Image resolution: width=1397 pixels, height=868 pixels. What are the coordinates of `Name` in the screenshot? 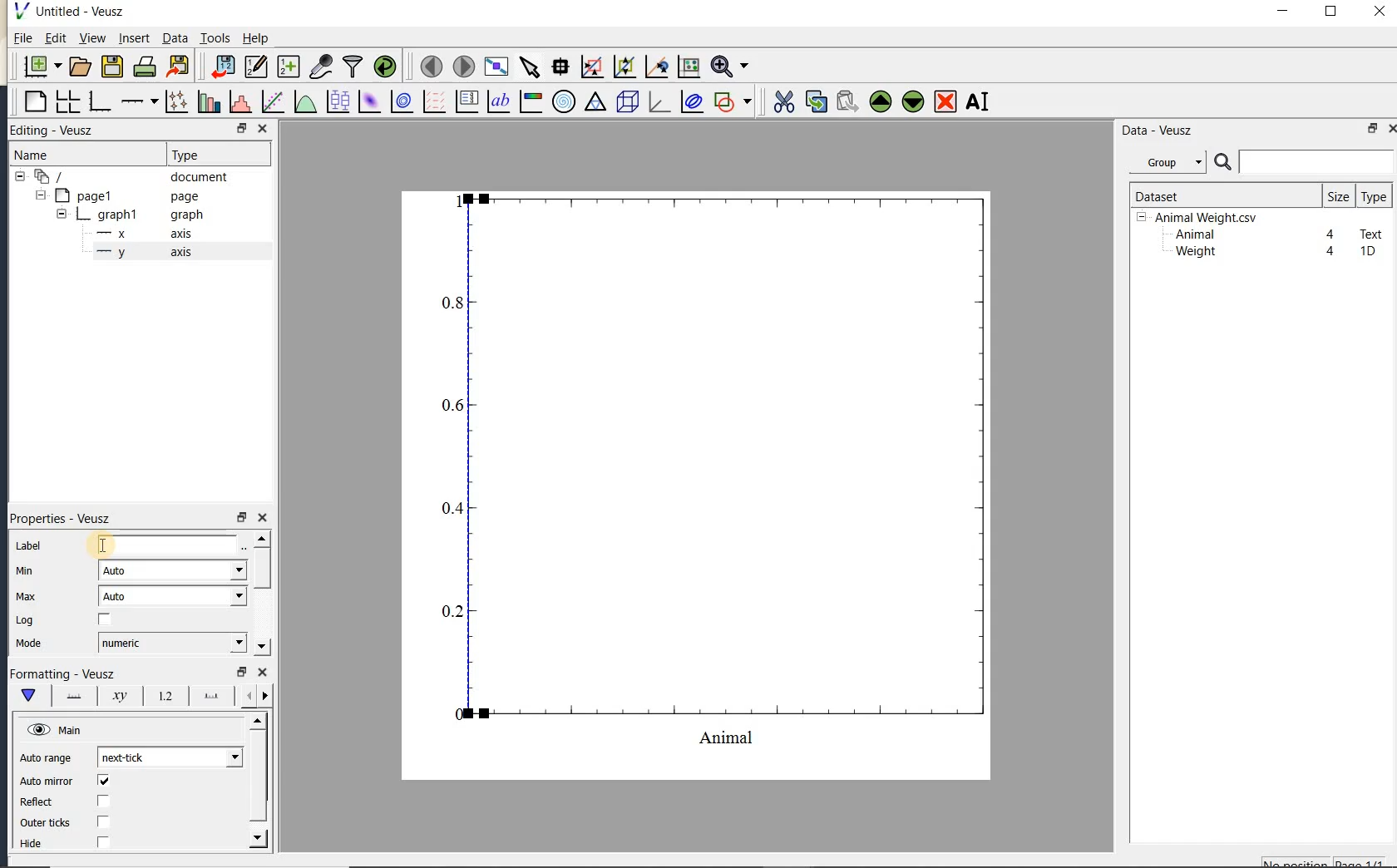 It's located at (49, 155).